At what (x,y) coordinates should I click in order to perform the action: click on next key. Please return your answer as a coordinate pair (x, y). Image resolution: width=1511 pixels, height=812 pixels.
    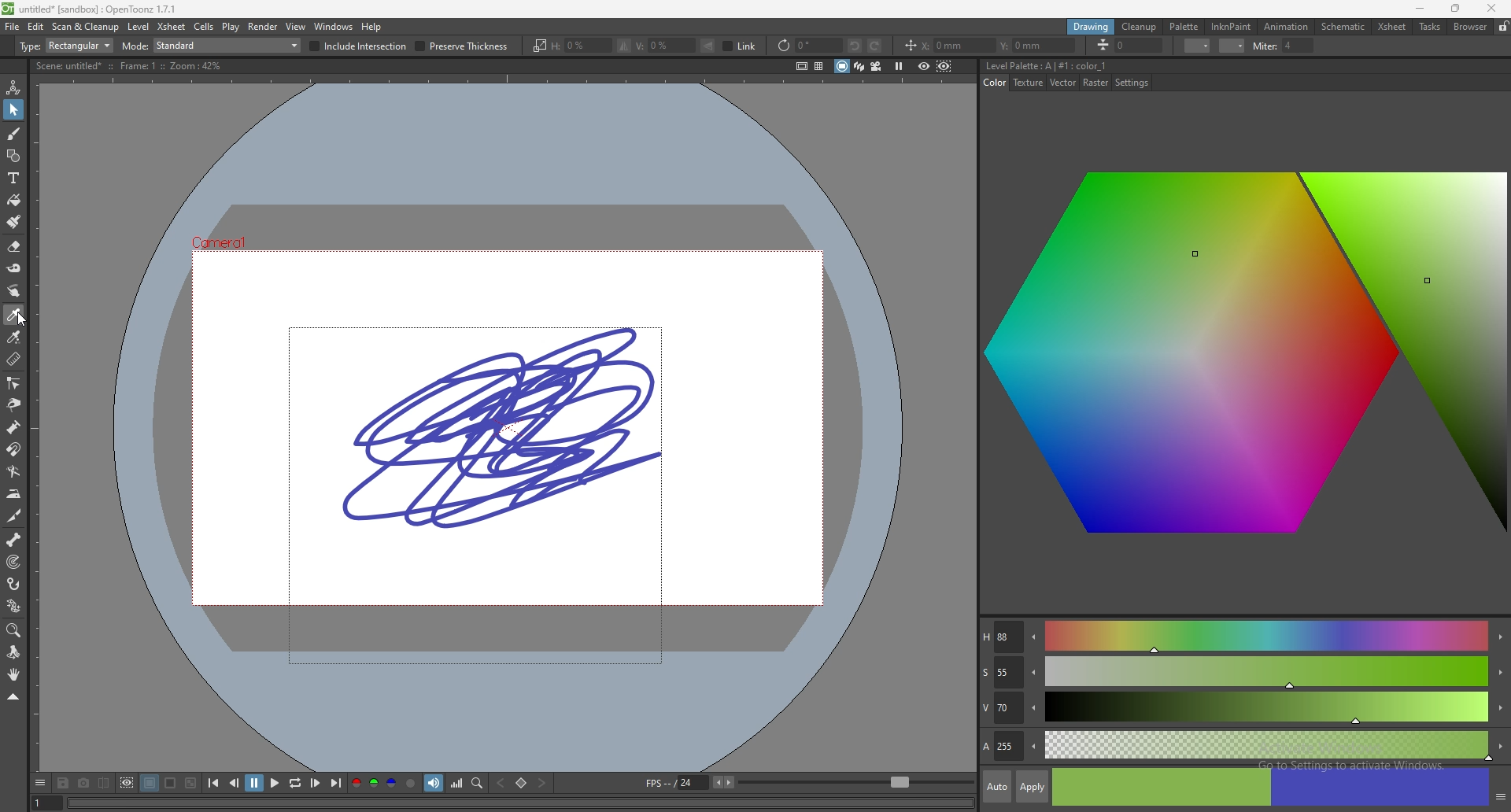
    Looking at the image, I should click on (542, 783).